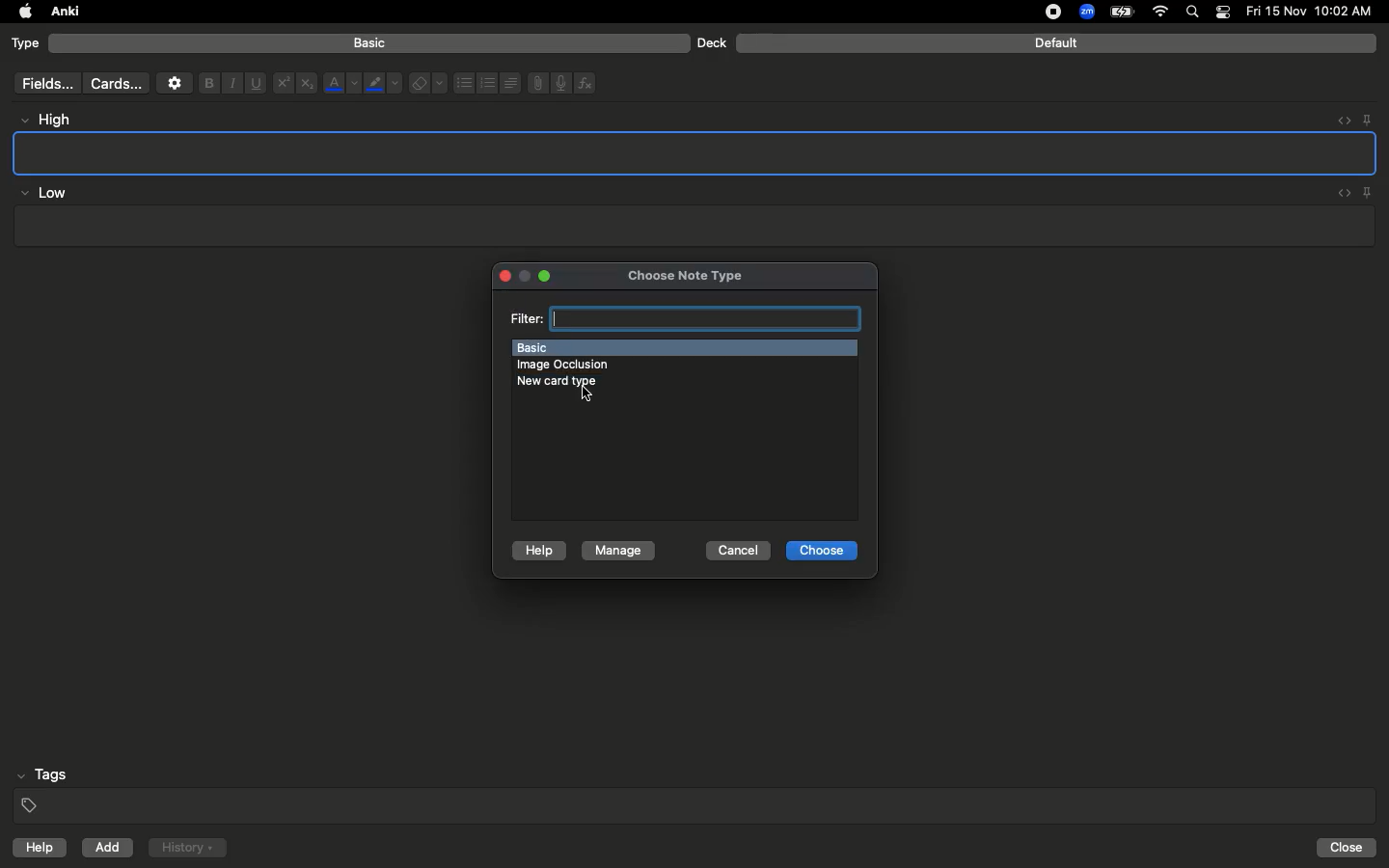 This screenshot has height=868, width=1389. I want to click on Underline, so click(255, 84).